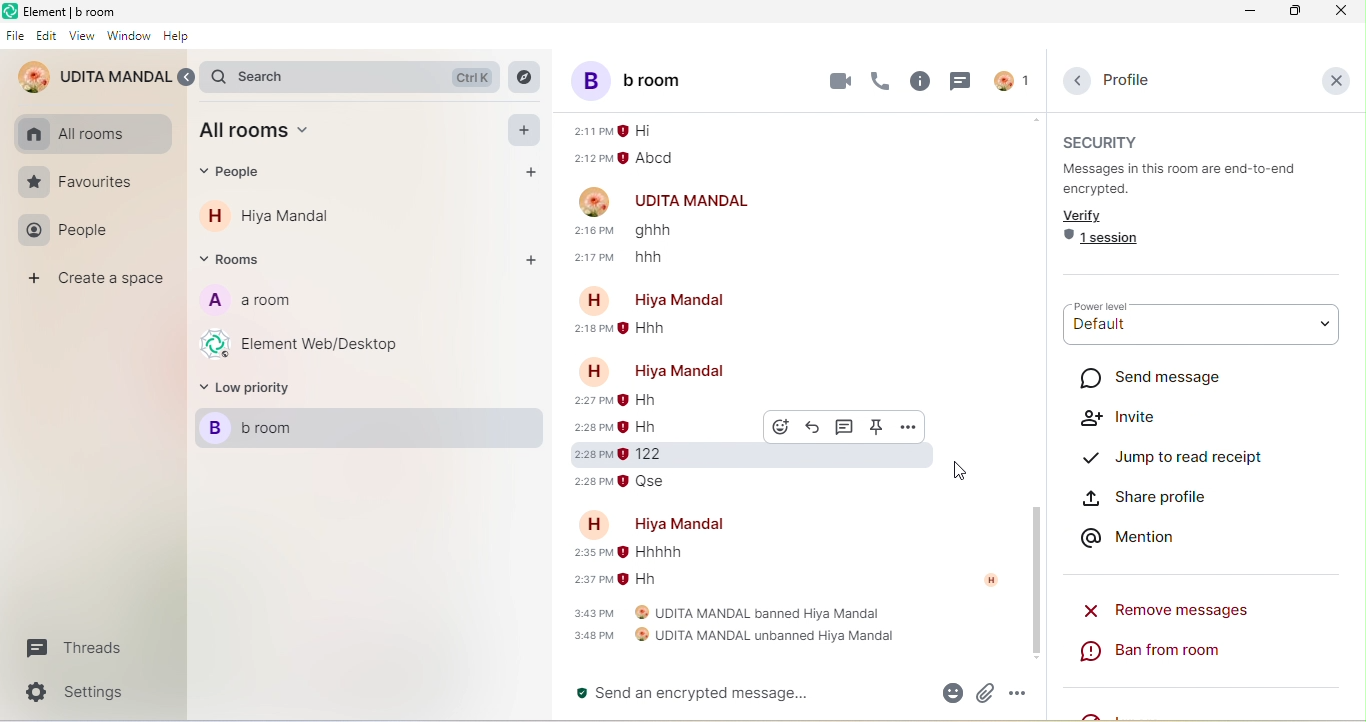  Describe the element at coordinates (643, 246) in the screenshot. I see `older message from udita mandal` at that location.